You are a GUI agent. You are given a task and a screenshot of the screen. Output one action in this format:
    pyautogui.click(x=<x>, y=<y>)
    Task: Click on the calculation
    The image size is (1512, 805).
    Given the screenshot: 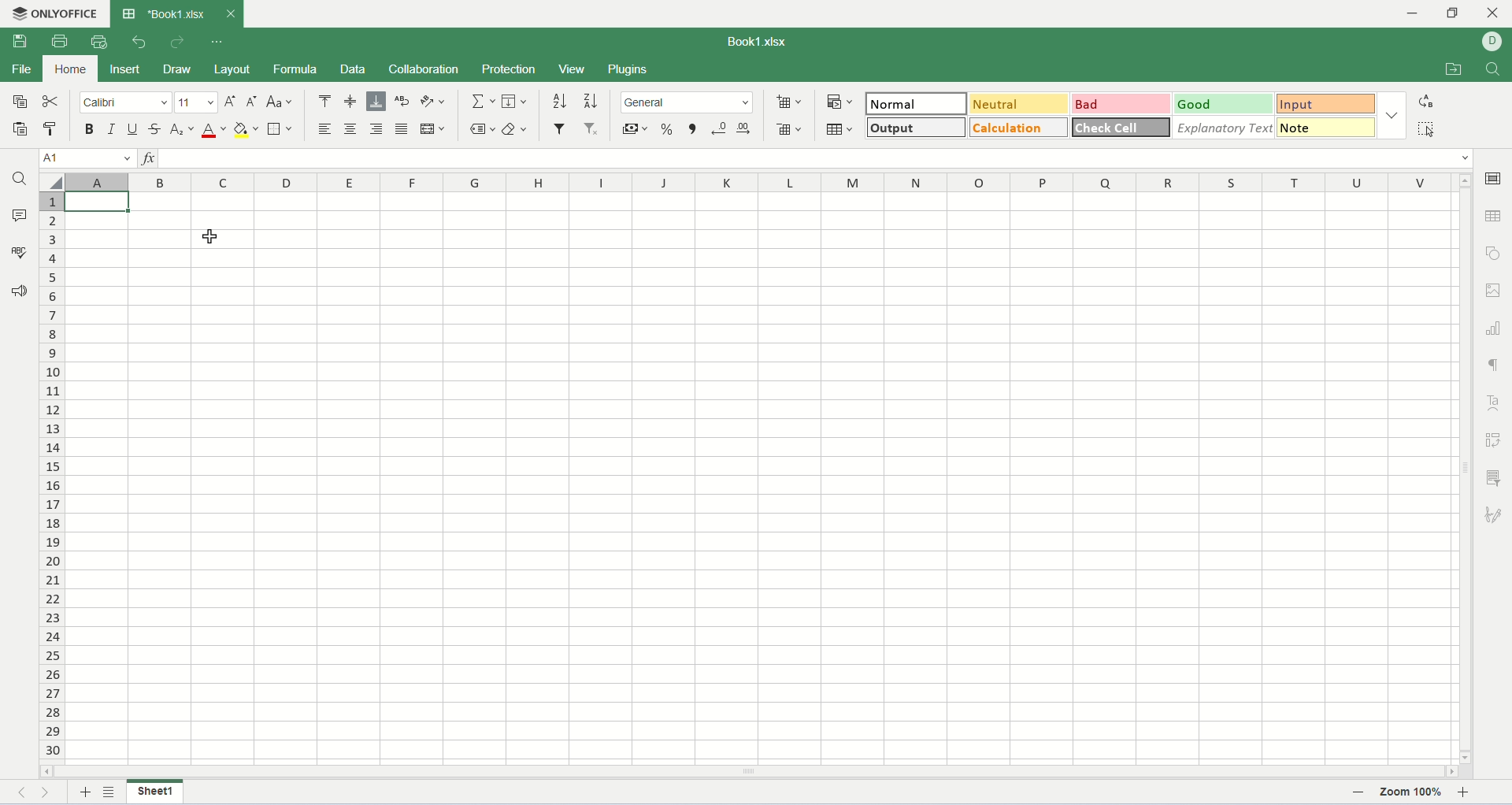 What is the action you would take?
    pyautogui.click(x=1021, y=127)
    